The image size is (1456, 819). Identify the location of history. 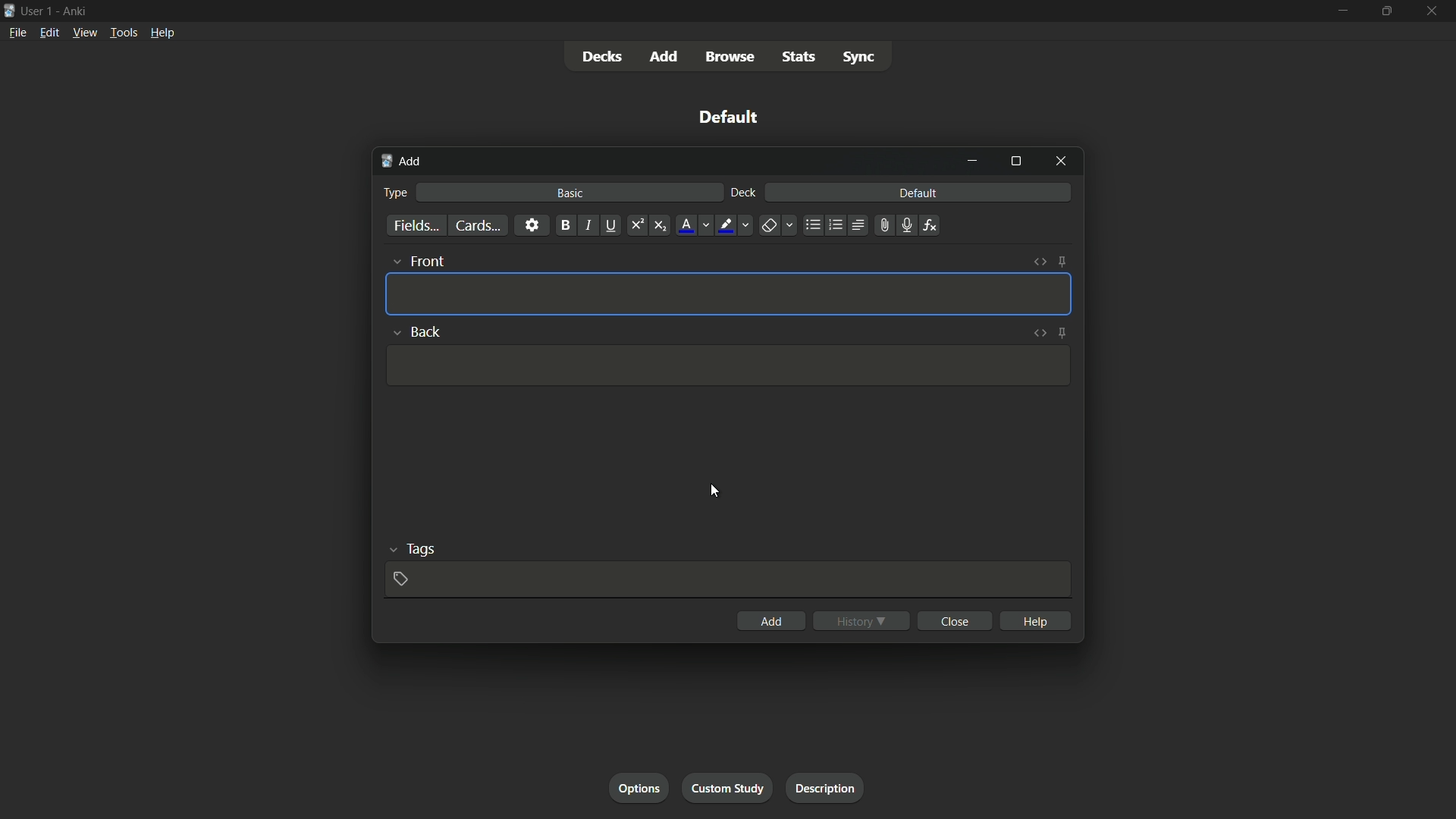
(862, 620).